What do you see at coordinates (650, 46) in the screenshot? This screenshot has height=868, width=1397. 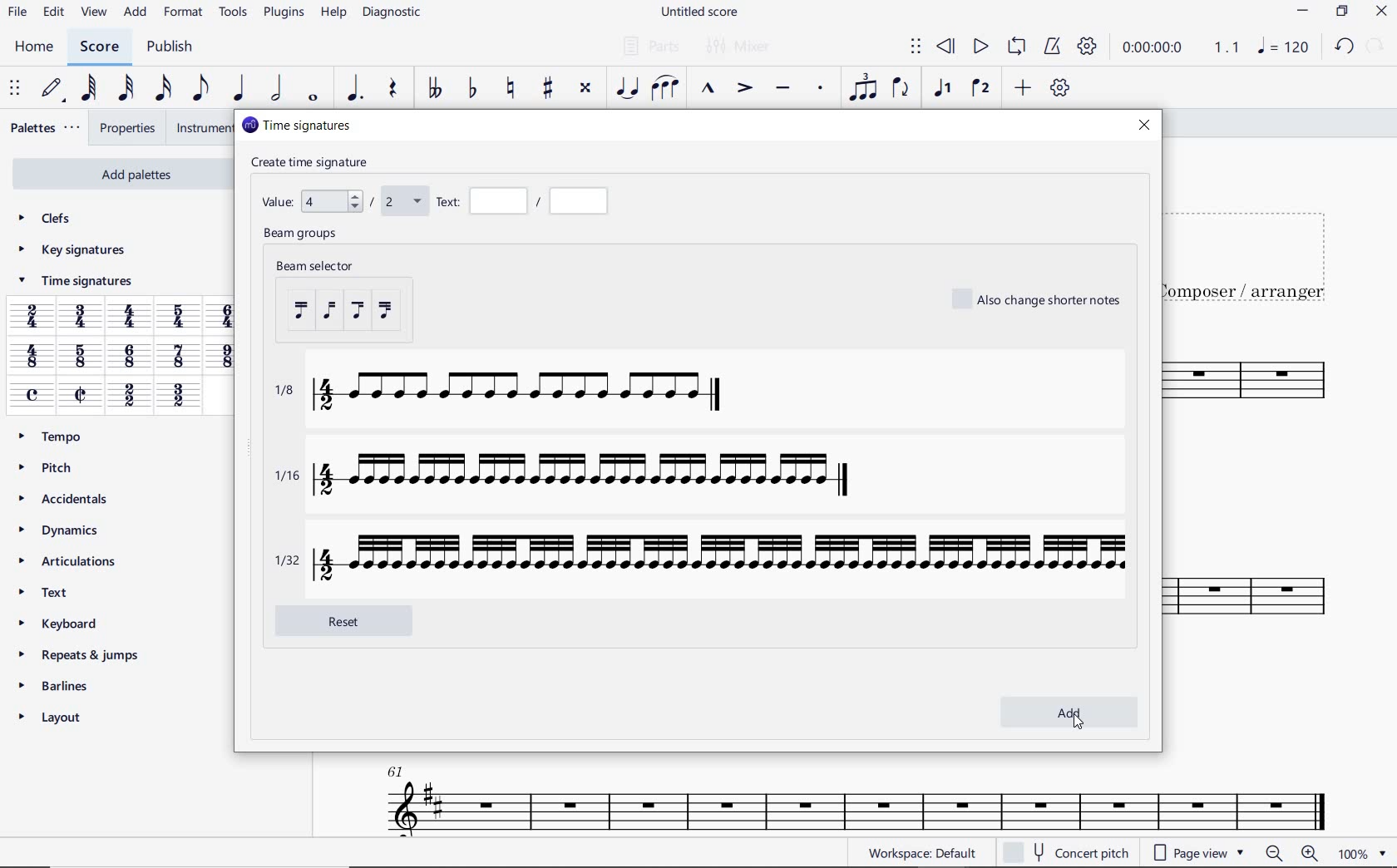 I see `PARTS` at bounding box center [650, 46].